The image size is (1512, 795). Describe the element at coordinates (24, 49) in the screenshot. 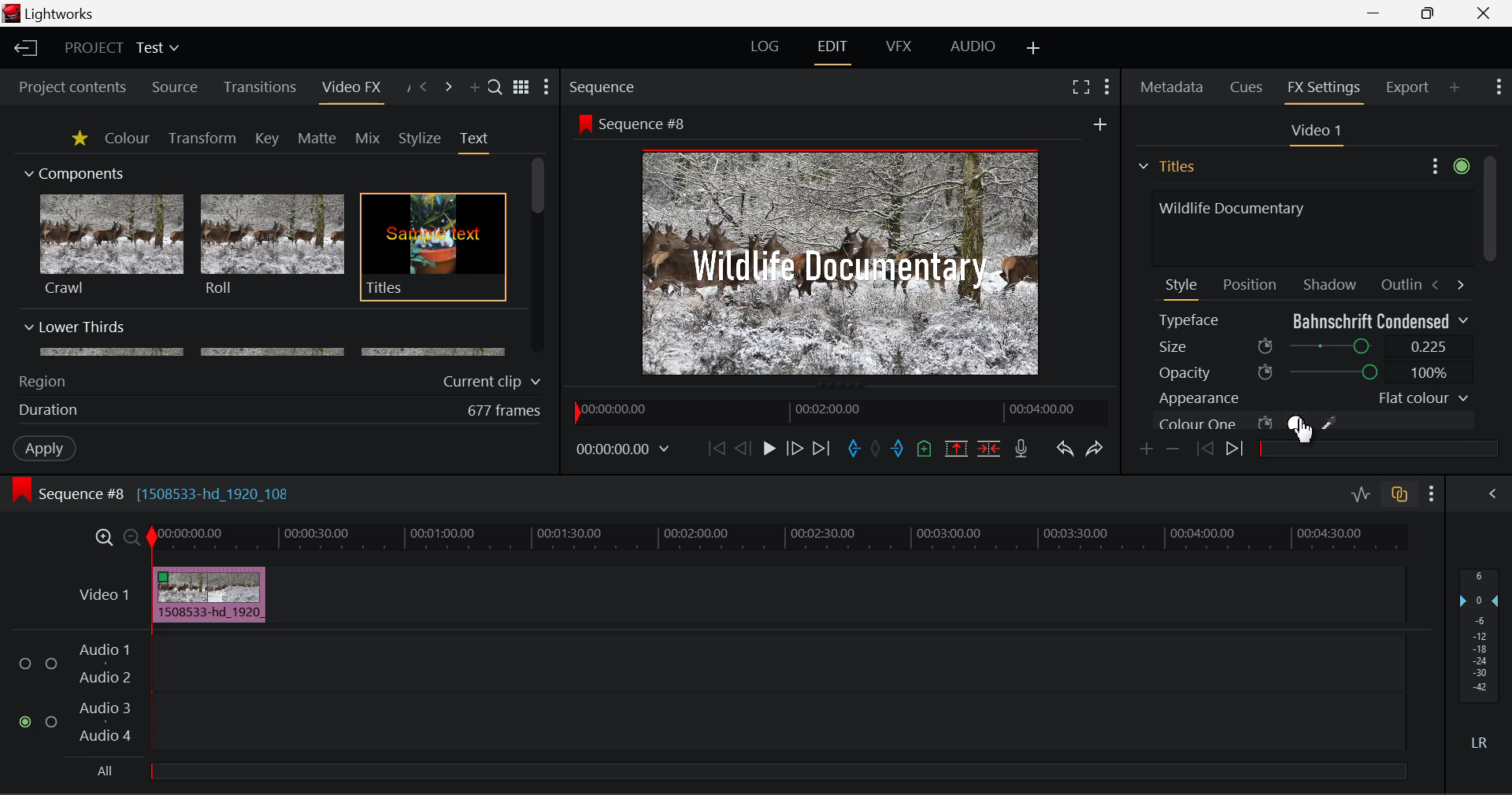

I see `Back to Homepage` at that location.